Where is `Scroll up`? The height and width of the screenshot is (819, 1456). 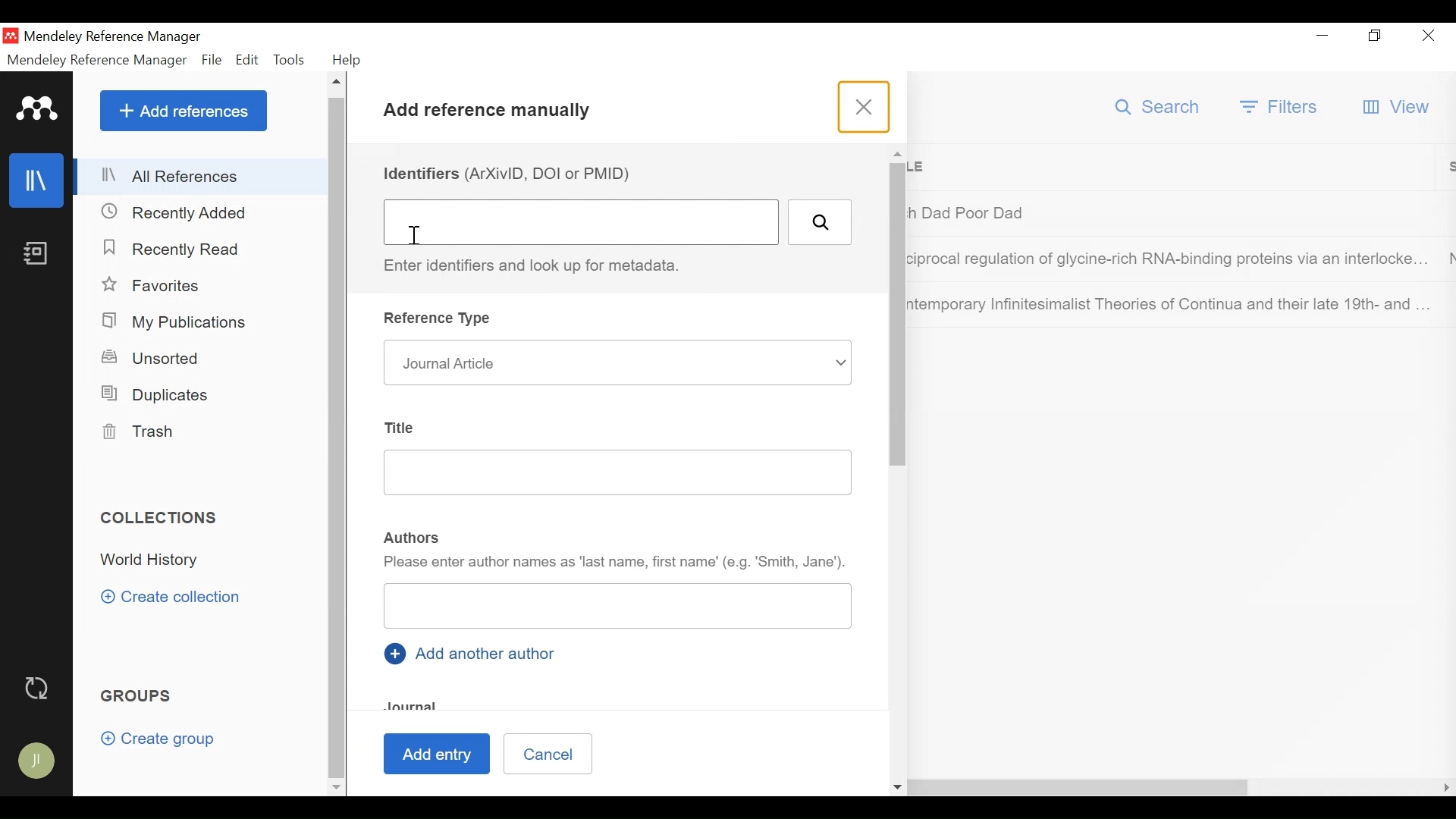
Scroll up is located at coordinates (336, 83).